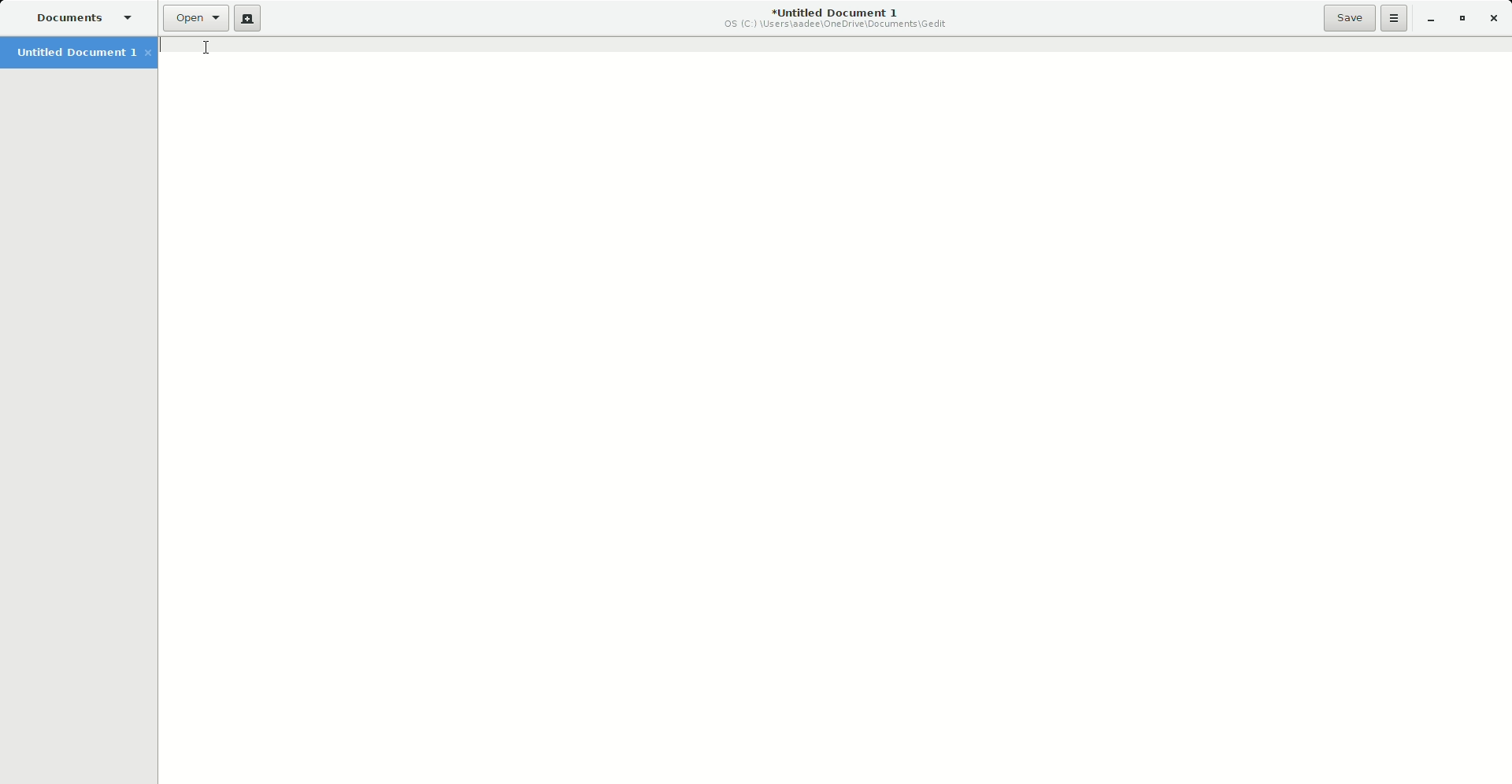 This screenshot has width=1512, height=784. What do you see at coordinates (1395, 18) in the screenshot?
I see `Options` at bounding box center [1395, 18].